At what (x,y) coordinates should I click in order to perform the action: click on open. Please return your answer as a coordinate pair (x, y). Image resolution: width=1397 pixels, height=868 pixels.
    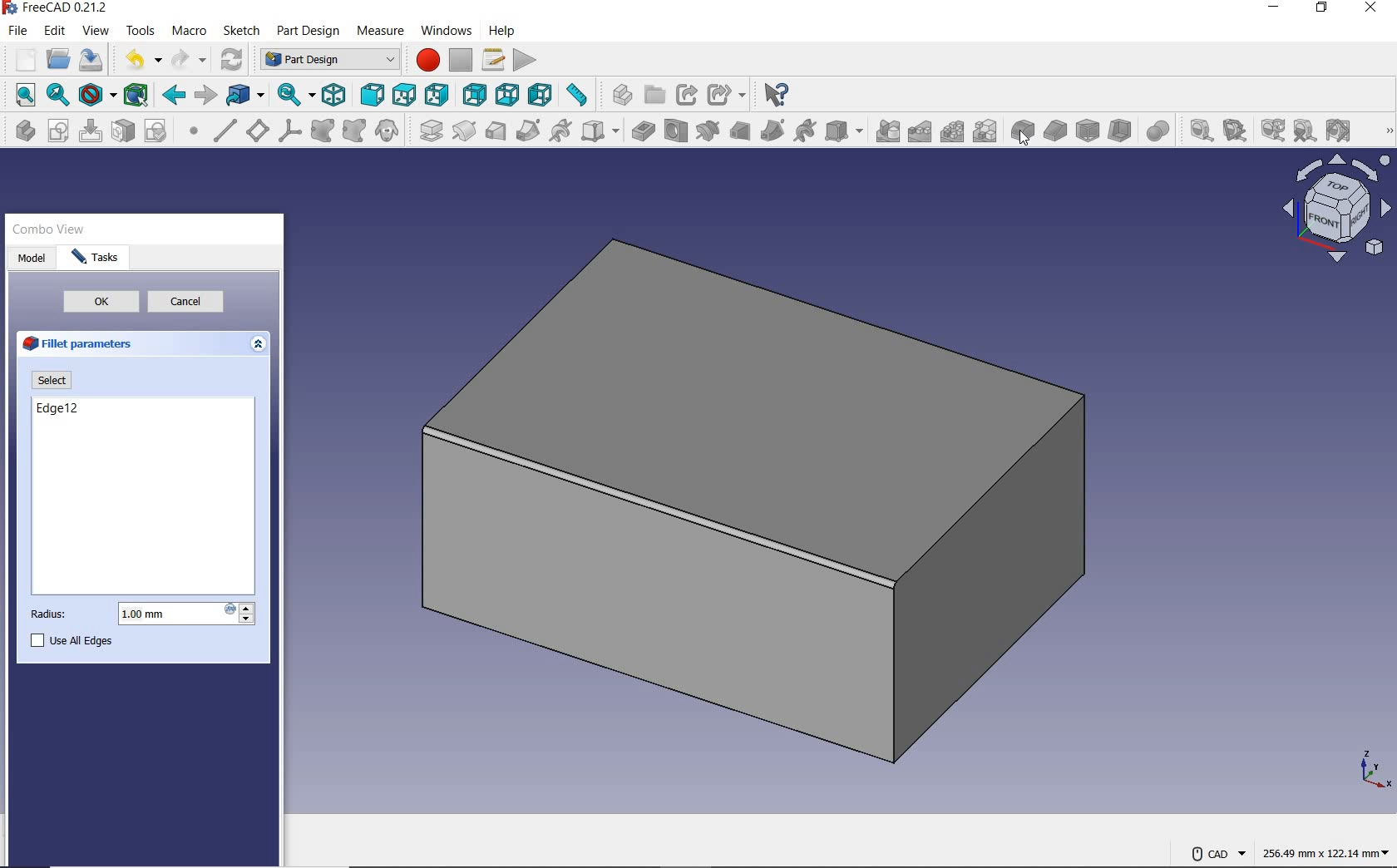
    Looking at the image, I should click on (58, 60).